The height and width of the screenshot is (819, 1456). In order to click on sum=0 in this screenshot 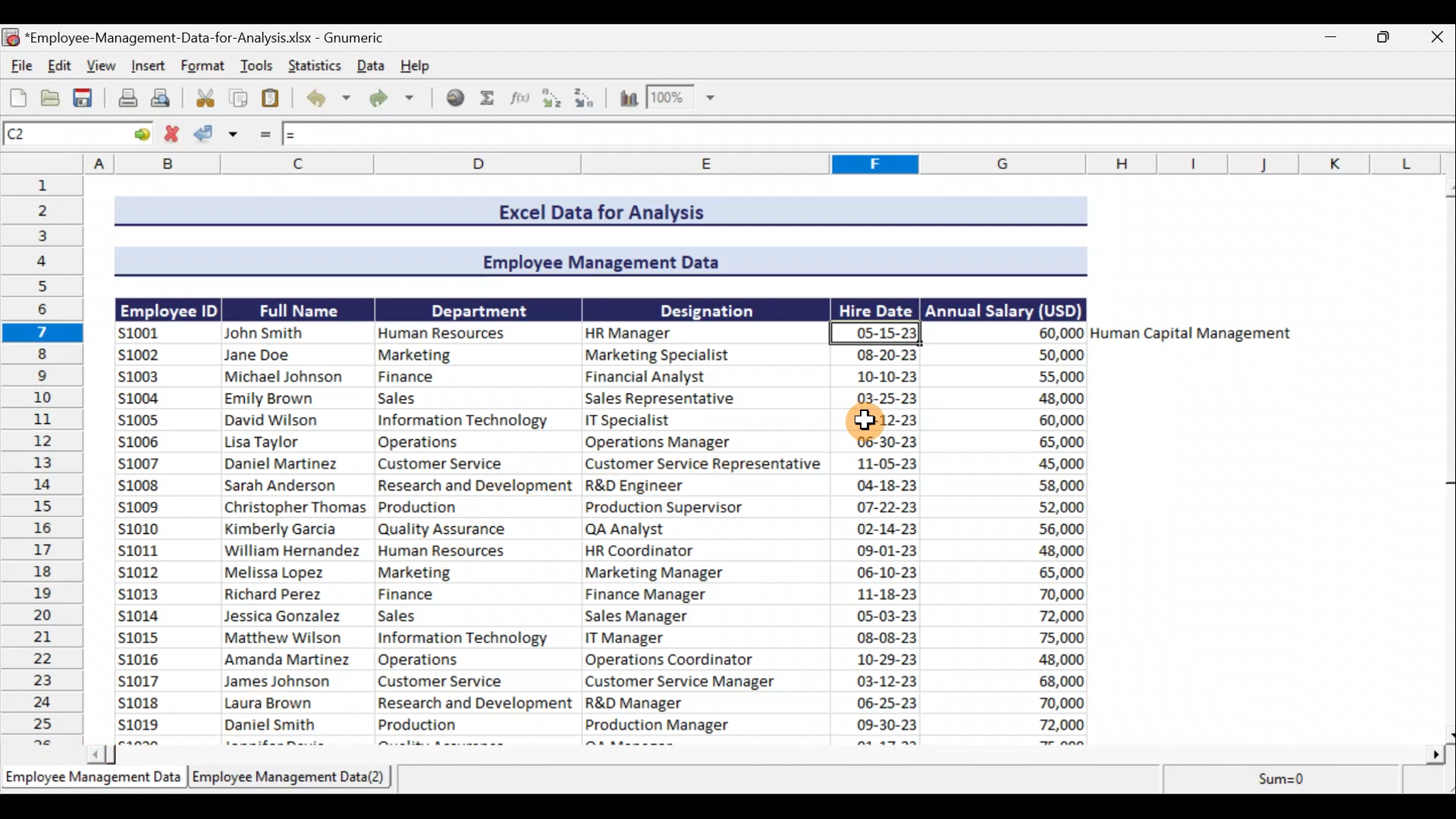, I will do `click(1288, 782)`.